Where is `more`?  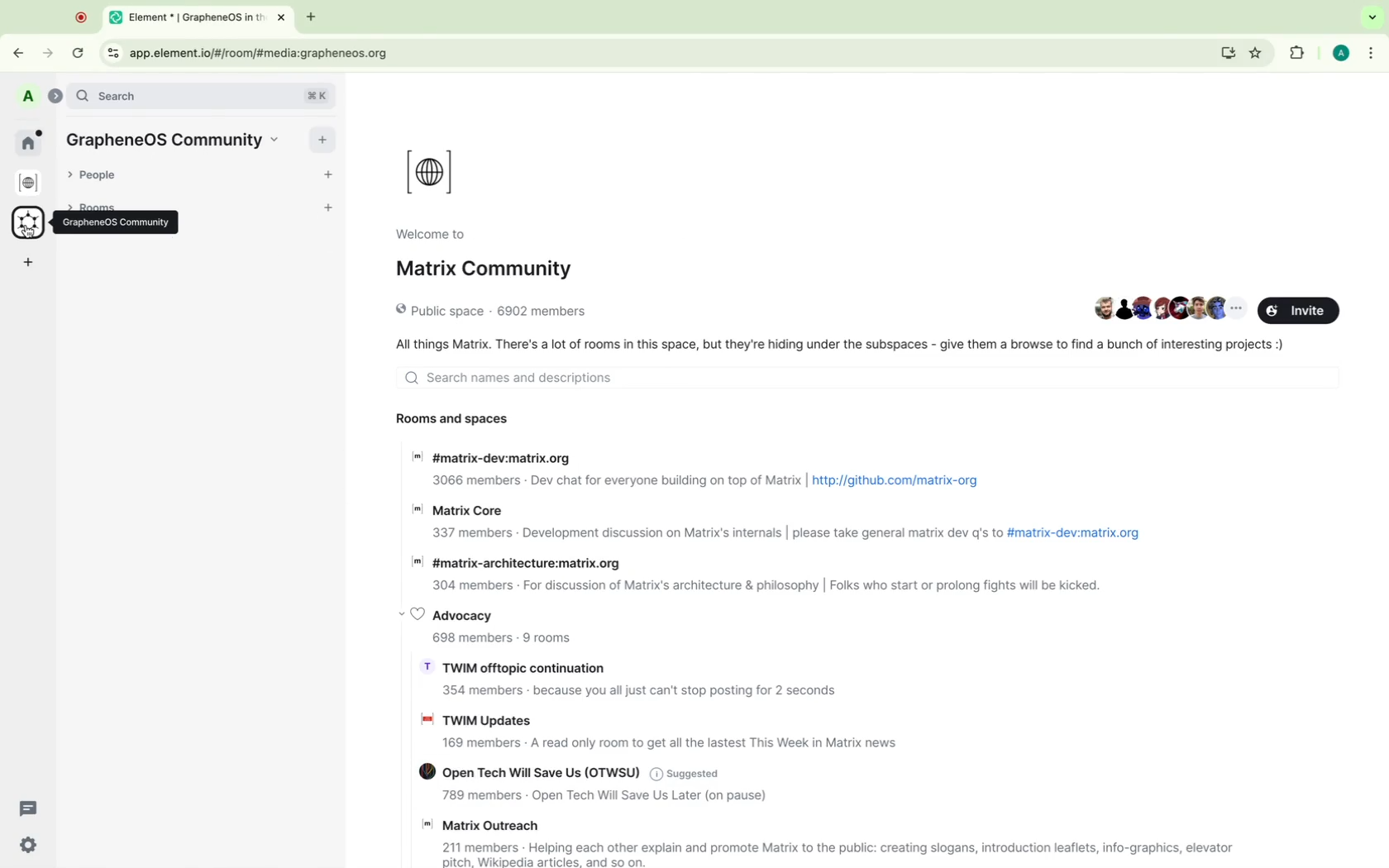
more is located at coordinates (29, 263).